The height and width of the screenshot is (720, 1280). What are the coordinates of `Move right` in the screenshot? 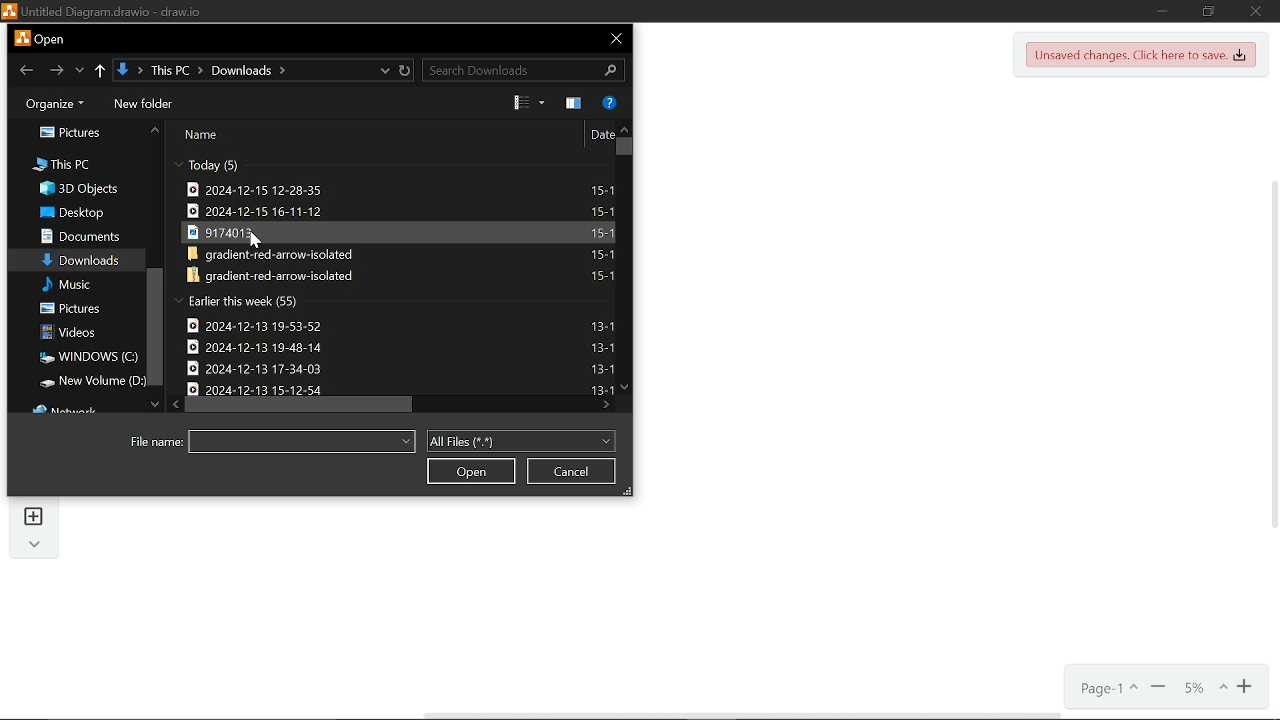 It's located at (606, 406).